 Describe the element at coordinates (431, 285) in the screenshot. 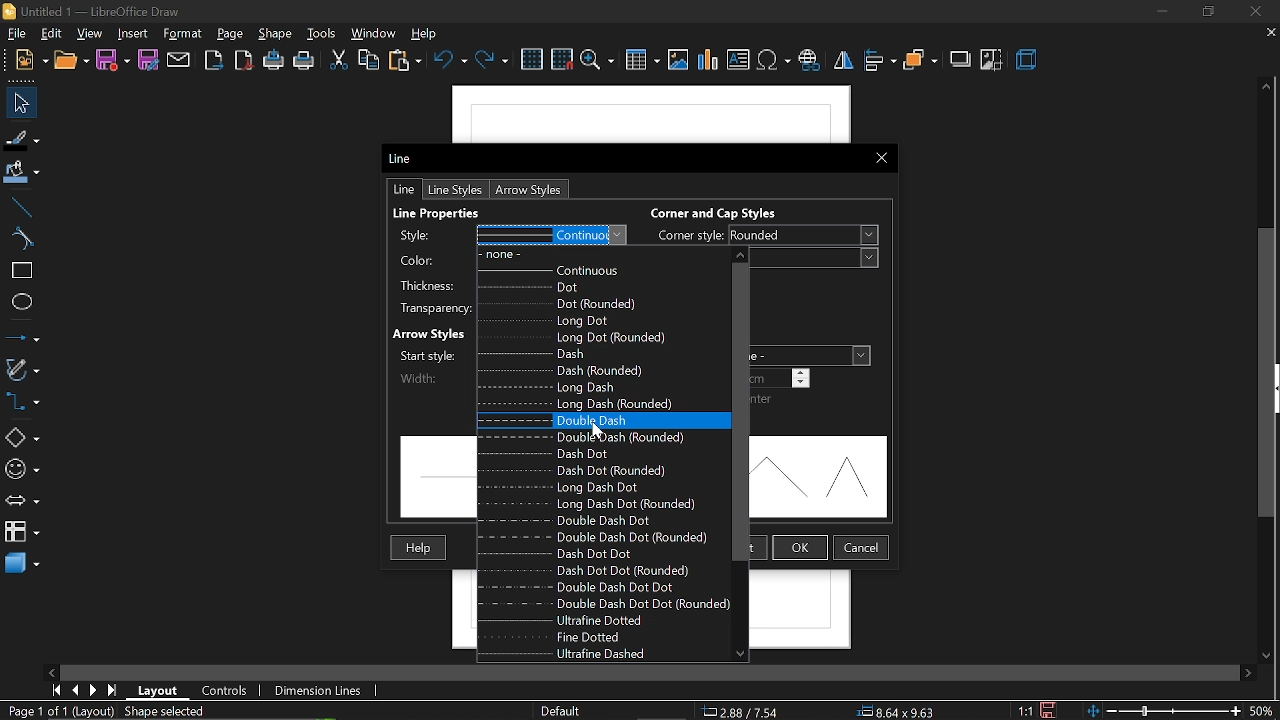

I see `thickness` at that location.